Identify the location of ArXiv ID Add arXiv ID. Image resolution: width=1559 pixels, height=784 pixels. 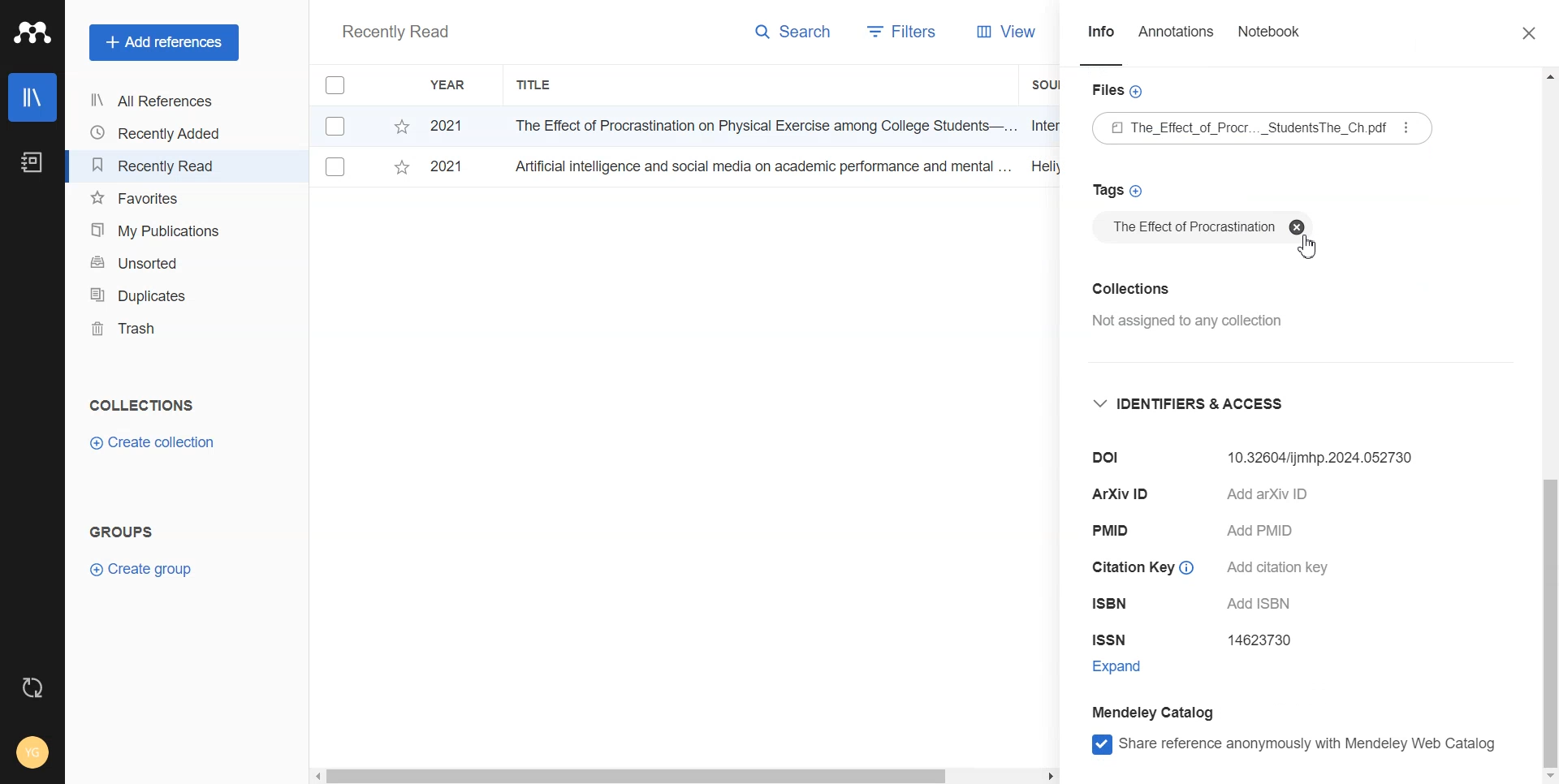
(1225, 496).